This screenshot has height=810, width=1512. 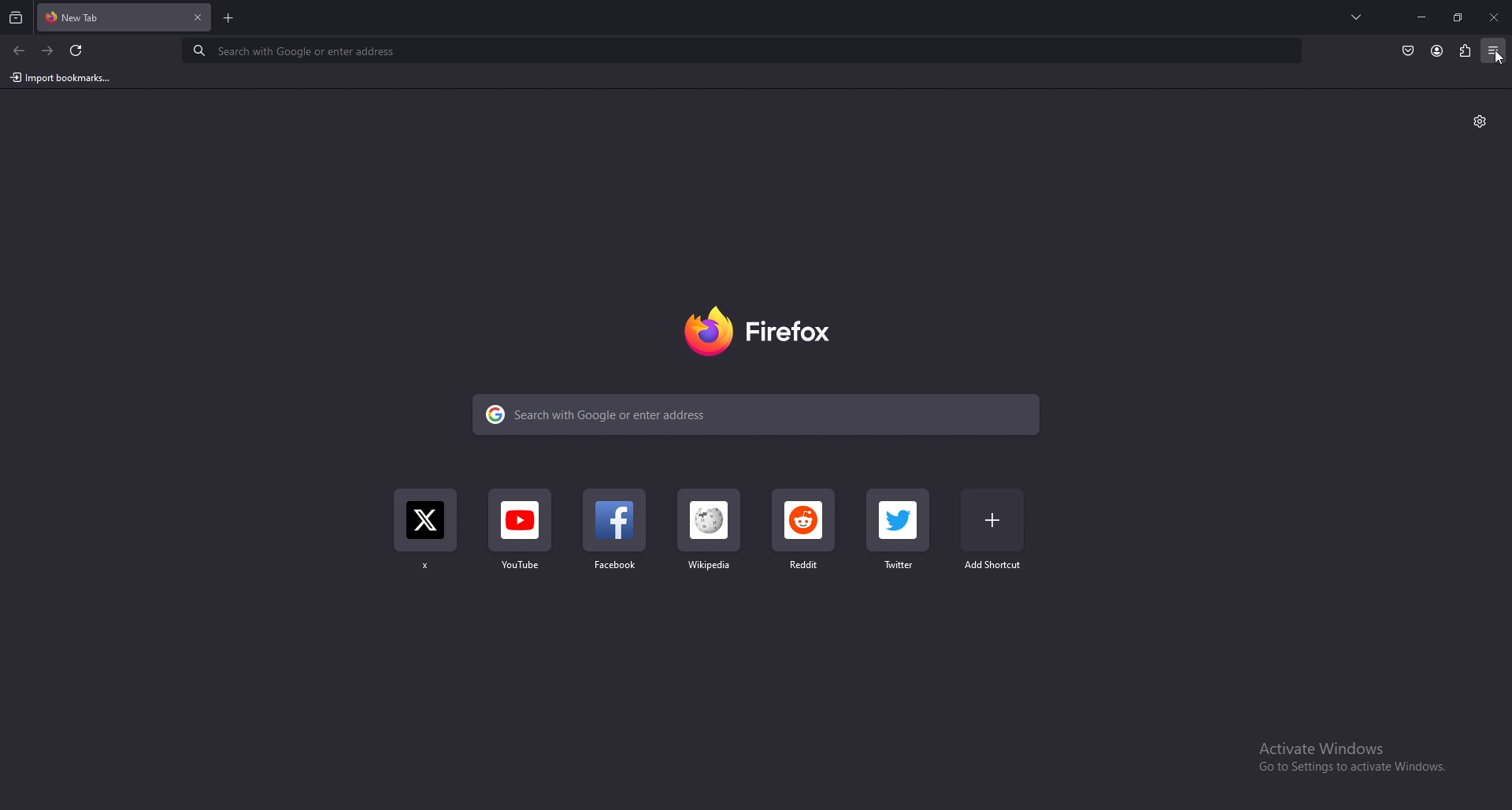 What do you see at coordinates (61, 78) in the screenshot?
I see `import bookmarks` at bounding box center [61, 78].